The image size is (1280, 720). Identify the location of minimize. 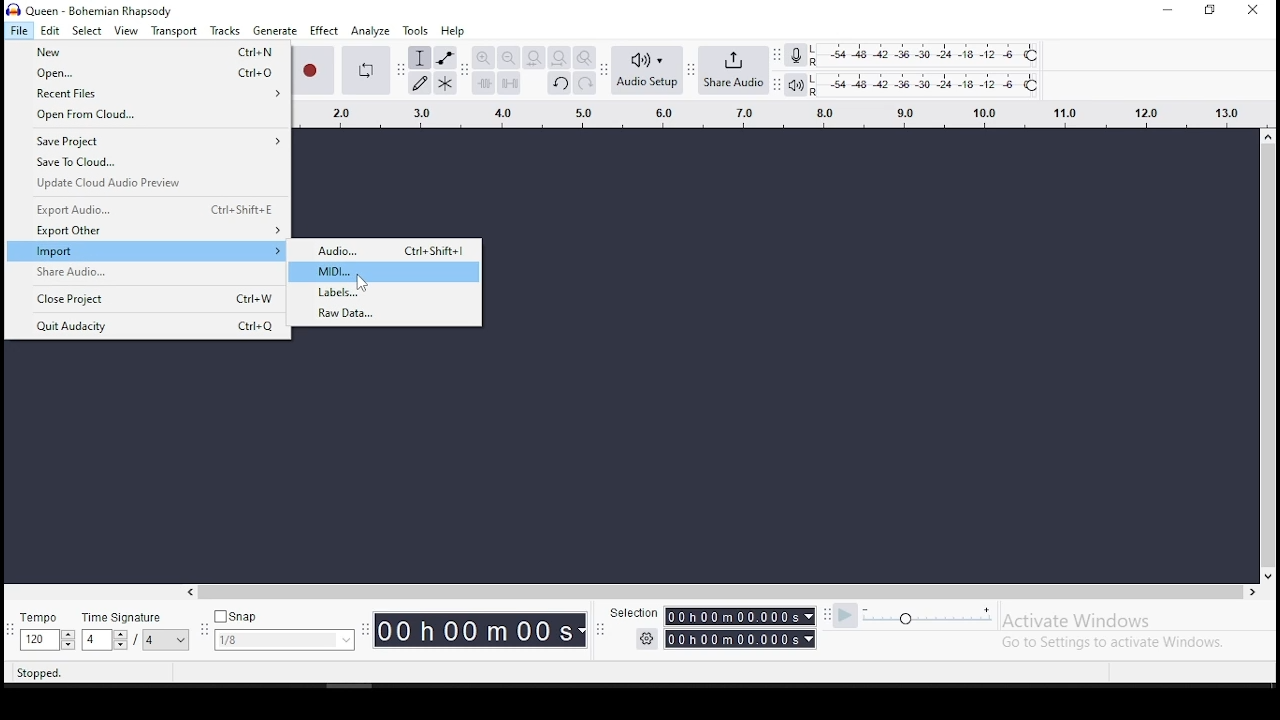
(1165, 10).